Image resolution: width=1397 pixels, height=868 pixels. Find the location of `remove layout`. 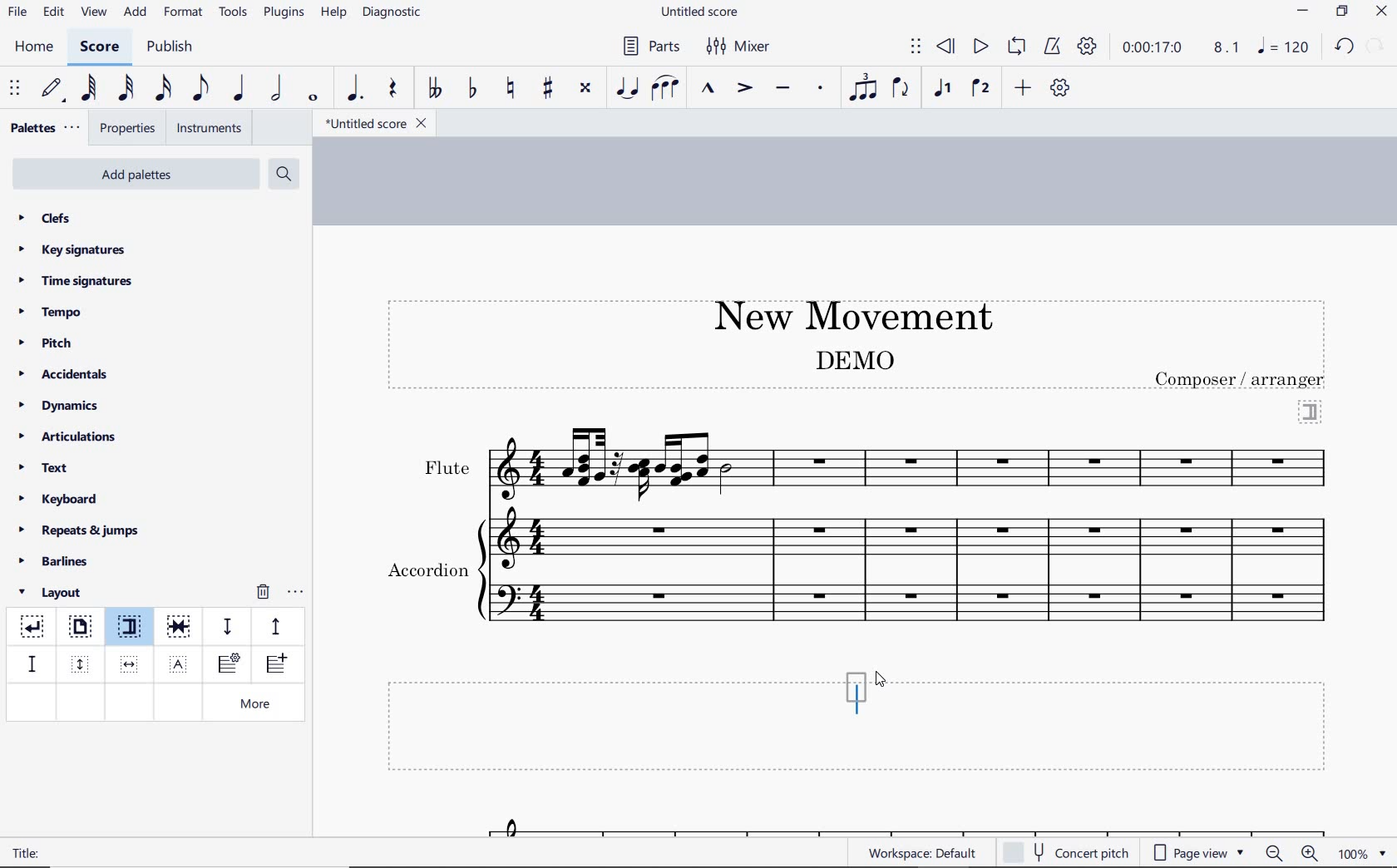

remove layout is located at coordinates (263, 594).